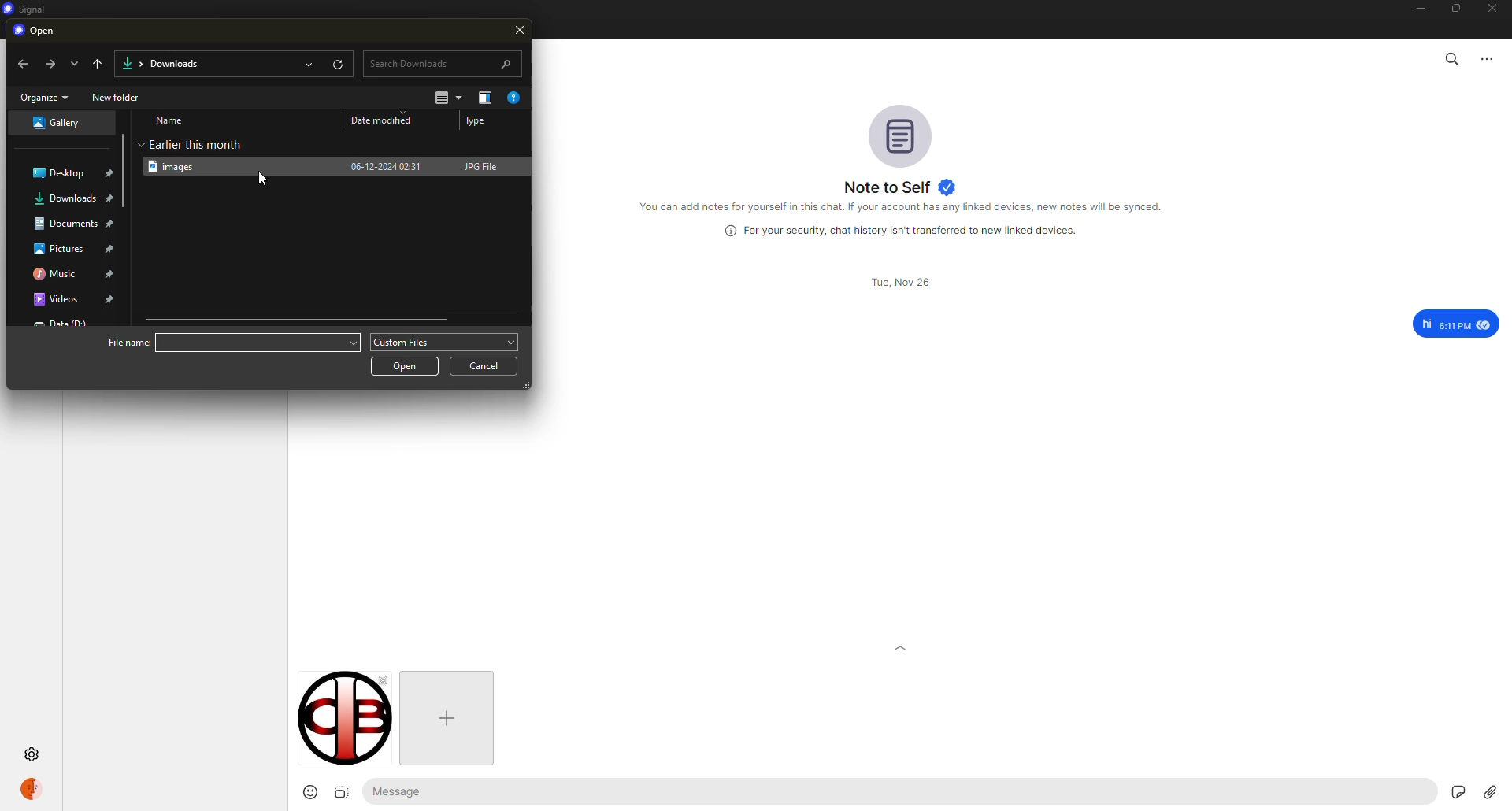  Describe the element at coordinates (1489, 58) in the screenshot. I see `more` at that location.